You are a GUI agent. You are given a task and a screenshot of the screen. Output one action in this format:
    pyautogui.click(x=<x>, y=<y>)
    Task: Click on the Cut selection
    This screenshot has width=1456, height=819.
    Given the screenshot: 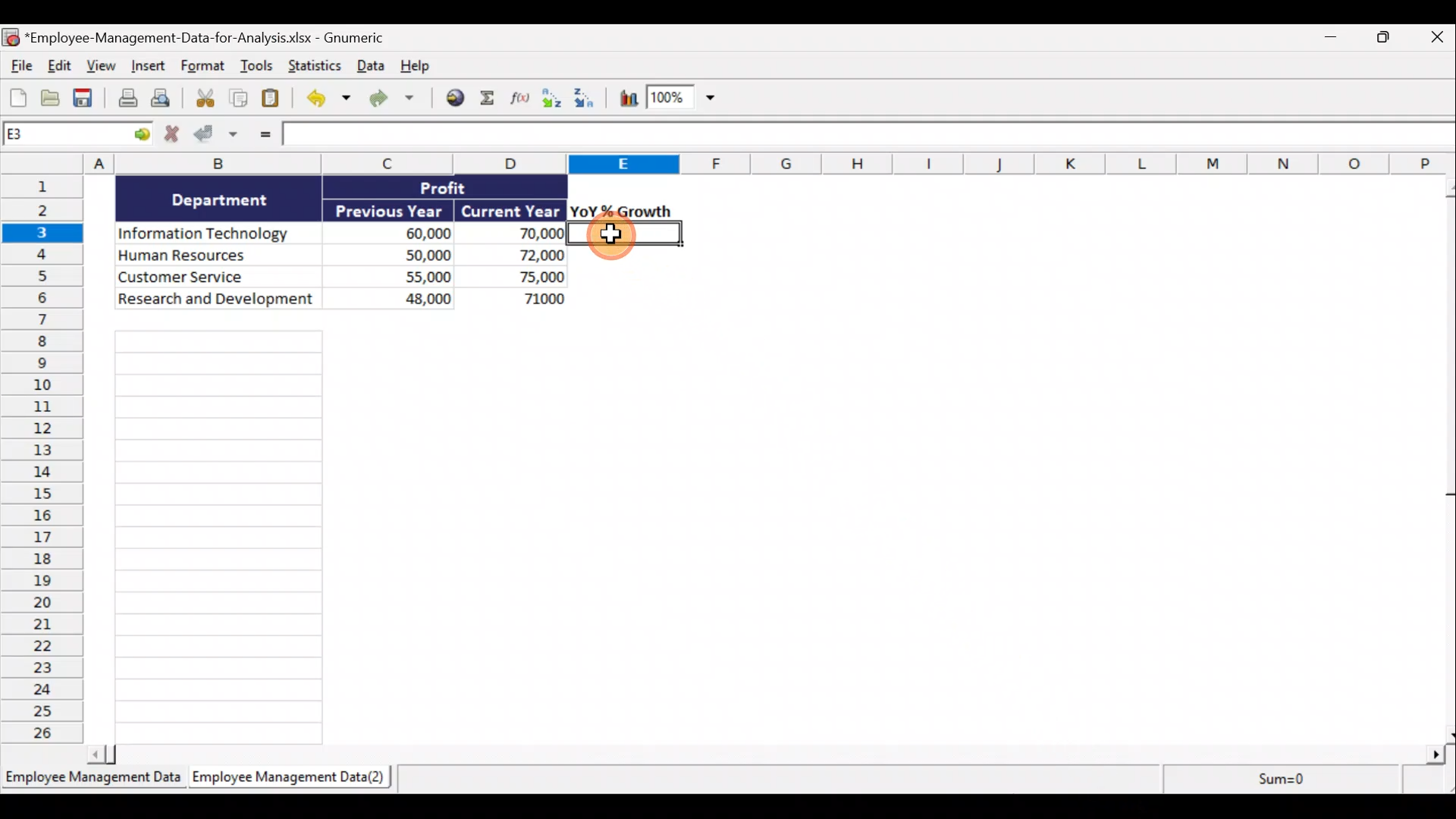 What is the action you would take?
    pyautogui.click(x=201, y=99)
    